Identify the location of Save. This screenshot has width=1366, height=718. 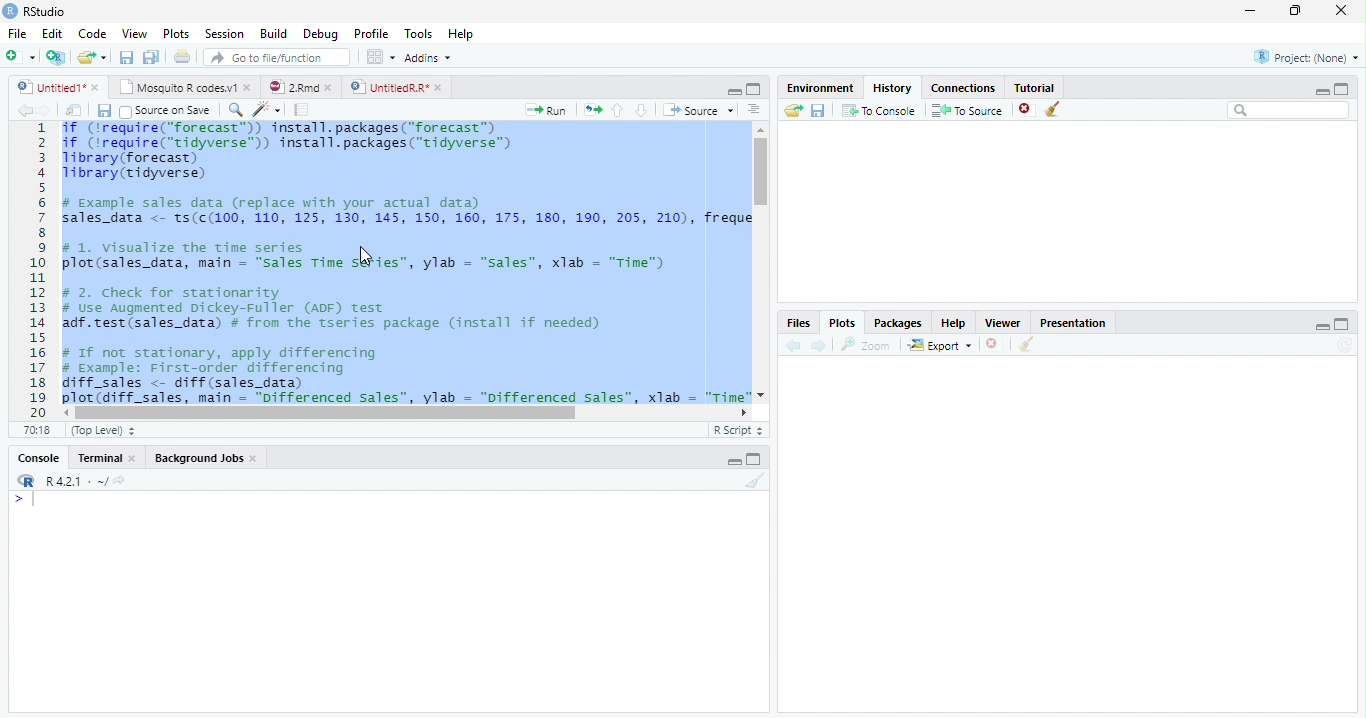
(102, 110).